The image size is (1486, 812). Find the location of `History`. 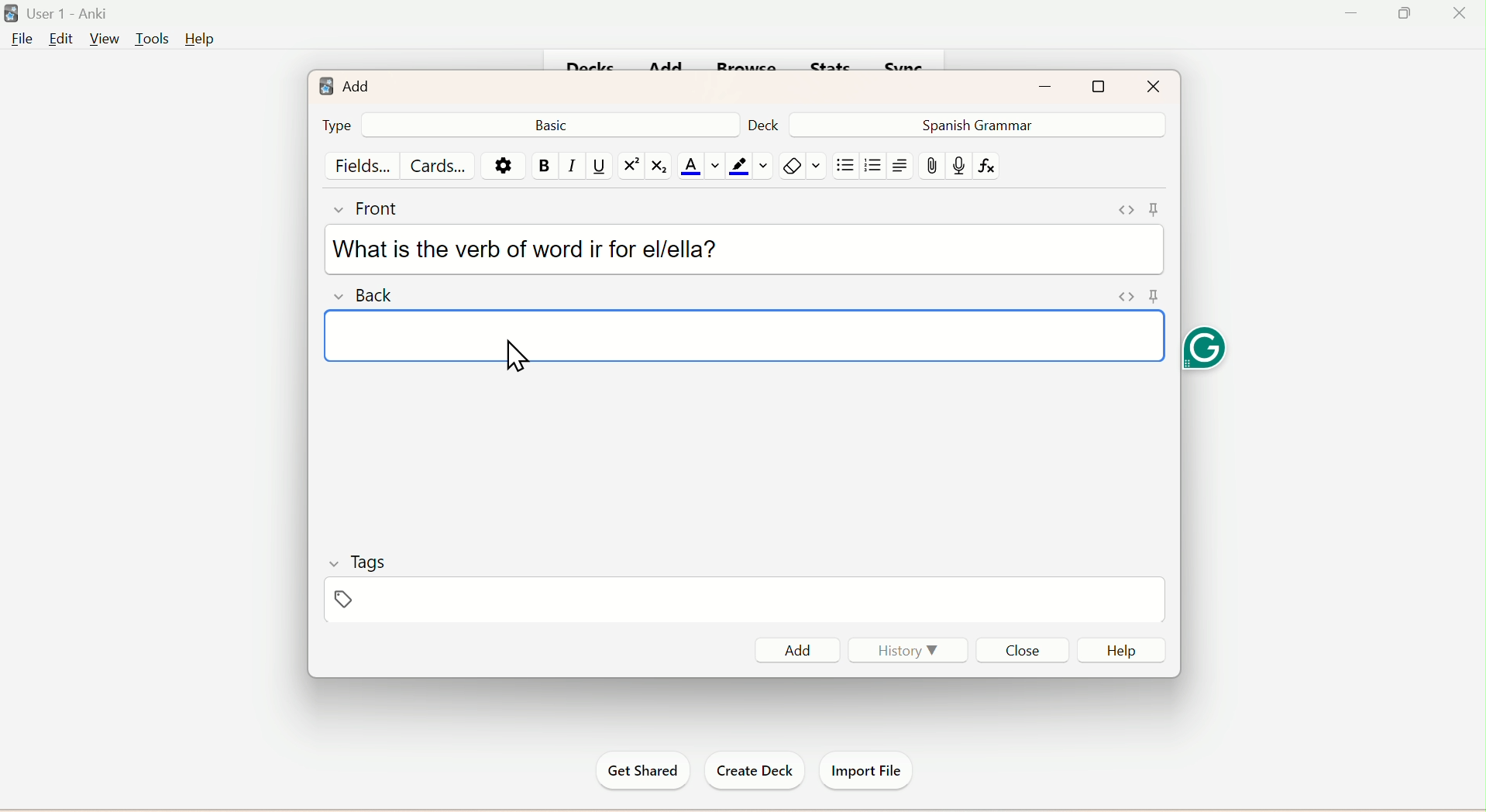

History is located at coordinates (910, 654).